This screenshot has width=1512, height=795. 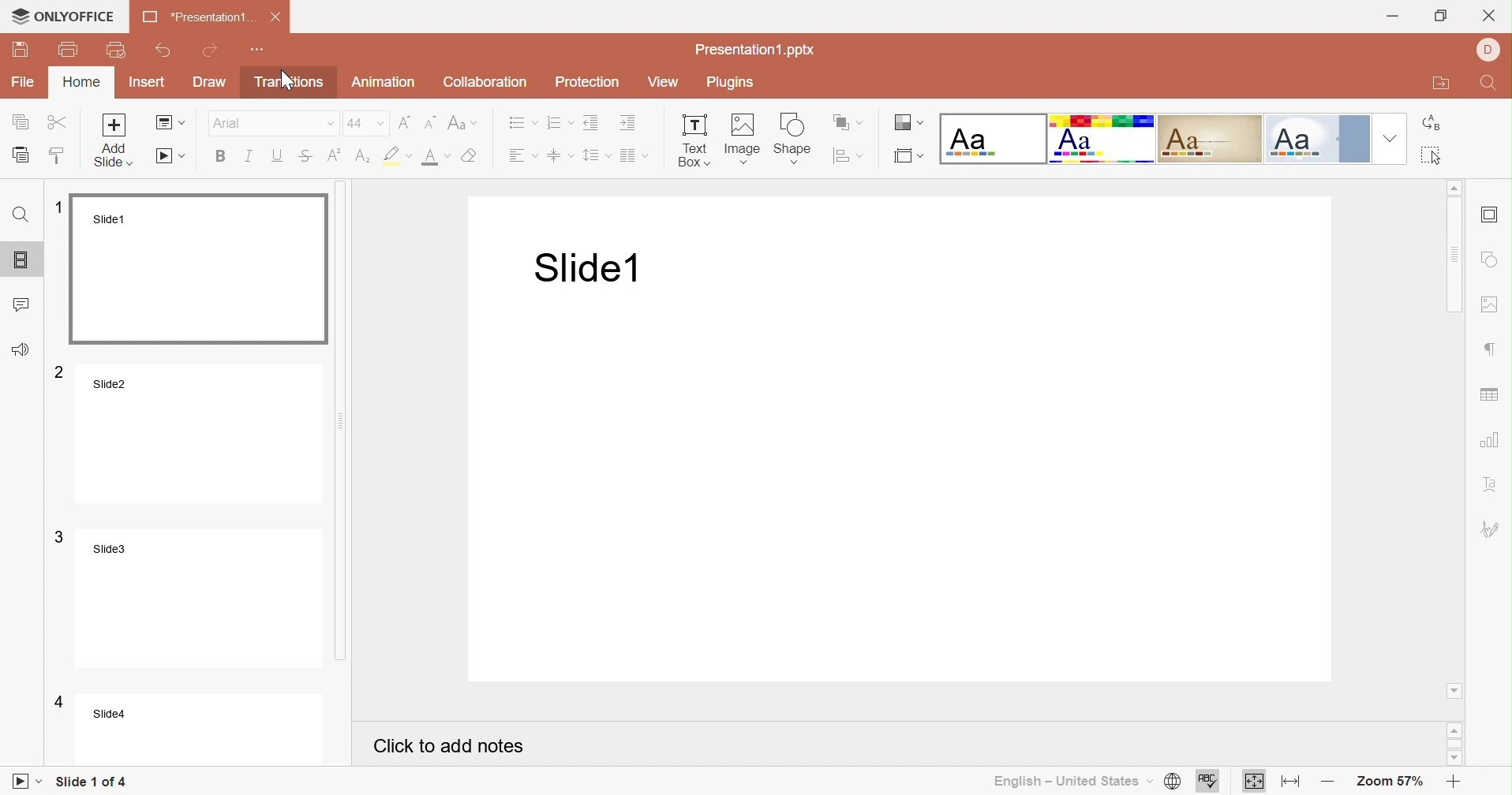 I want to click on Official, so click(x=1319, y=141).